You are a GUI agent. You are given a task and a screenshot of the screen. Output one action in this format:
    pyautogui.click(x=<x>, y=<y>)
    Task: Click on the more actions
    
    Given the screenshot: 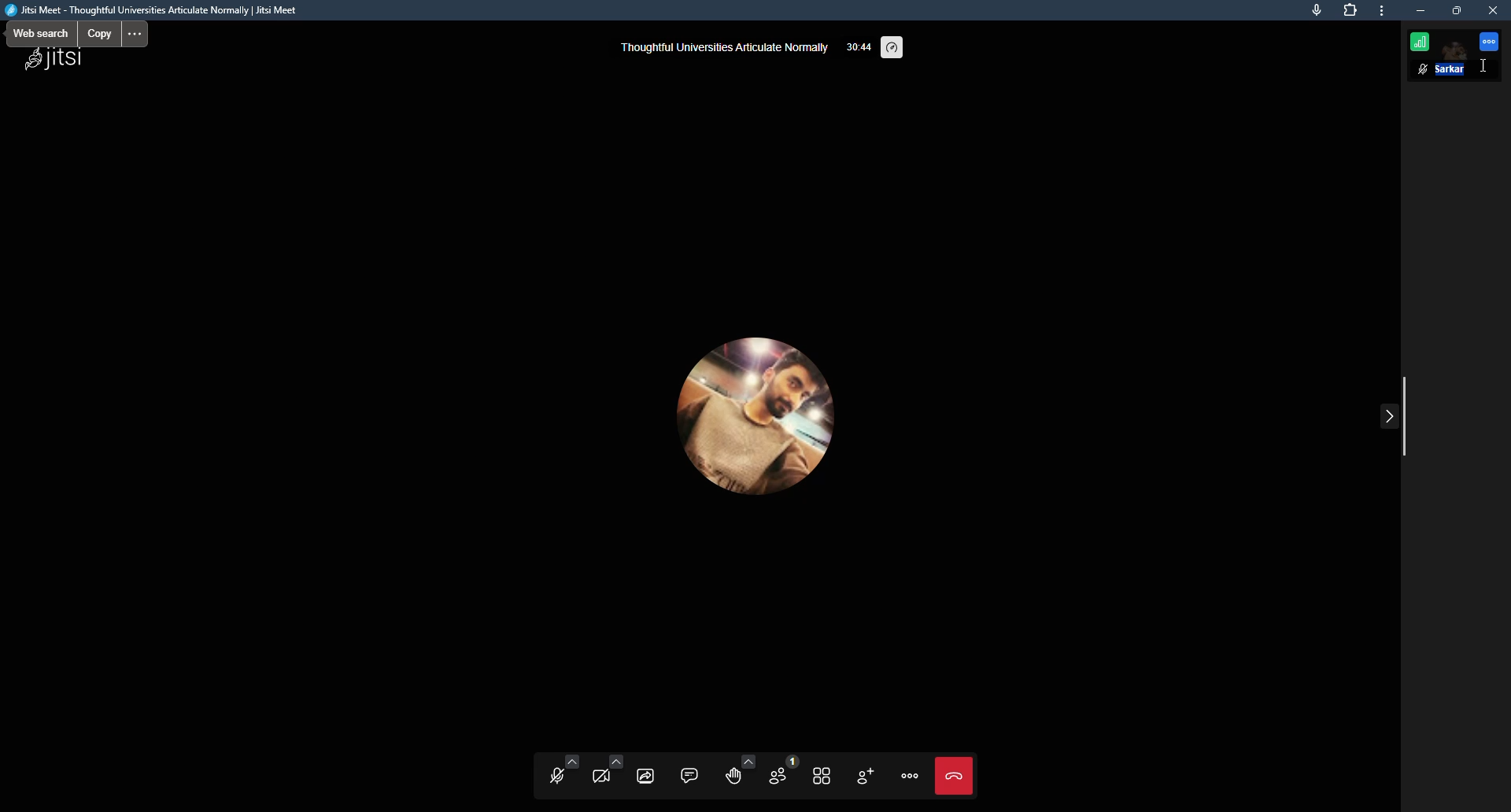 What is the action you would take?
    pyautogui.click(x=912, y=776)
    